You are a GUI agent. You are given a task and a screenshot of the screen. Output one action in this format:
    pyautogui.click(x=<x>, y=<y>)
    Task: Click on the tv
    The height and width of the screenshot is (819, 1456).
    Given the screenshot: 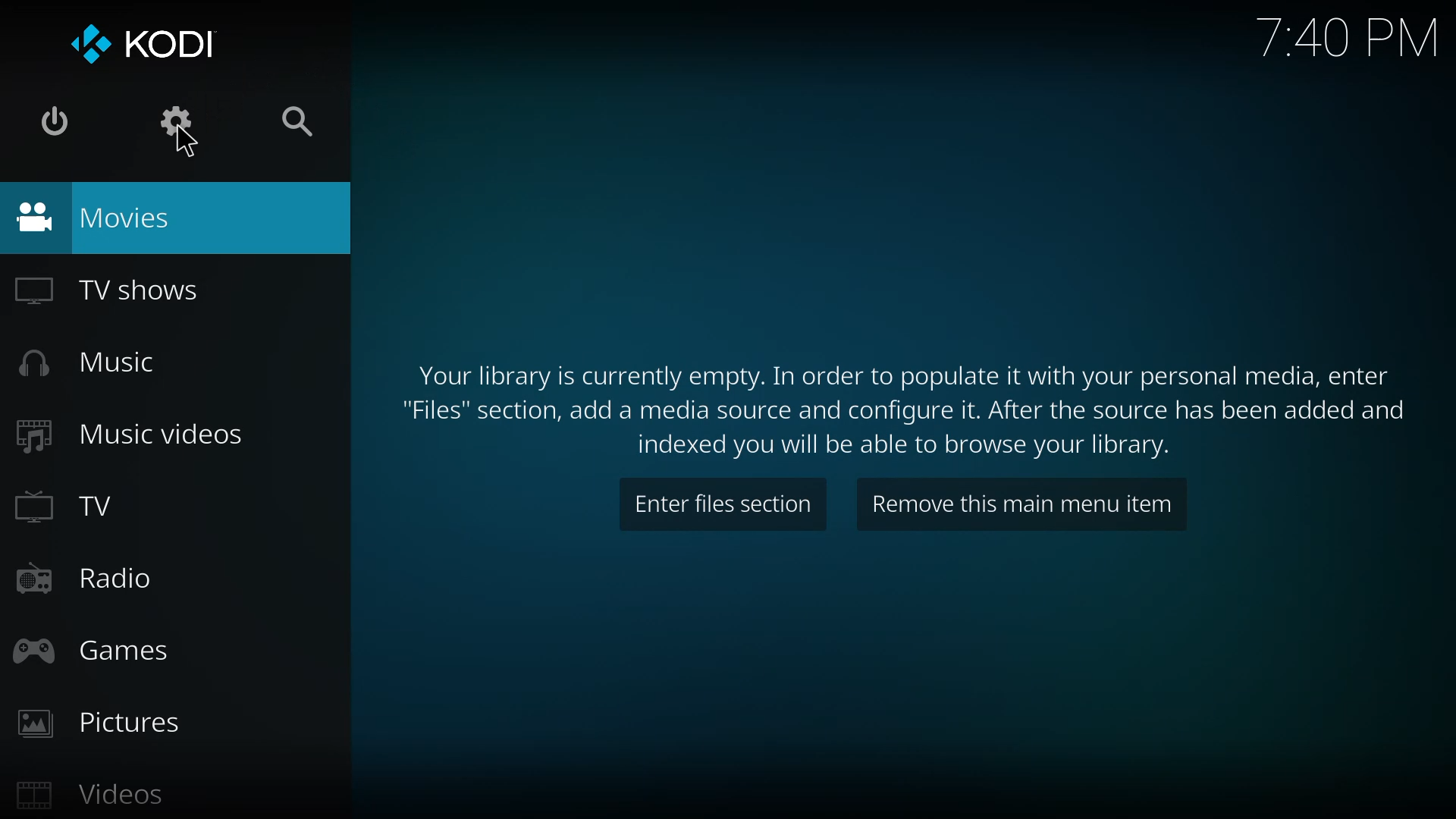 What is the action you would take?
    pyautogui.click(x=71, y=507)
    